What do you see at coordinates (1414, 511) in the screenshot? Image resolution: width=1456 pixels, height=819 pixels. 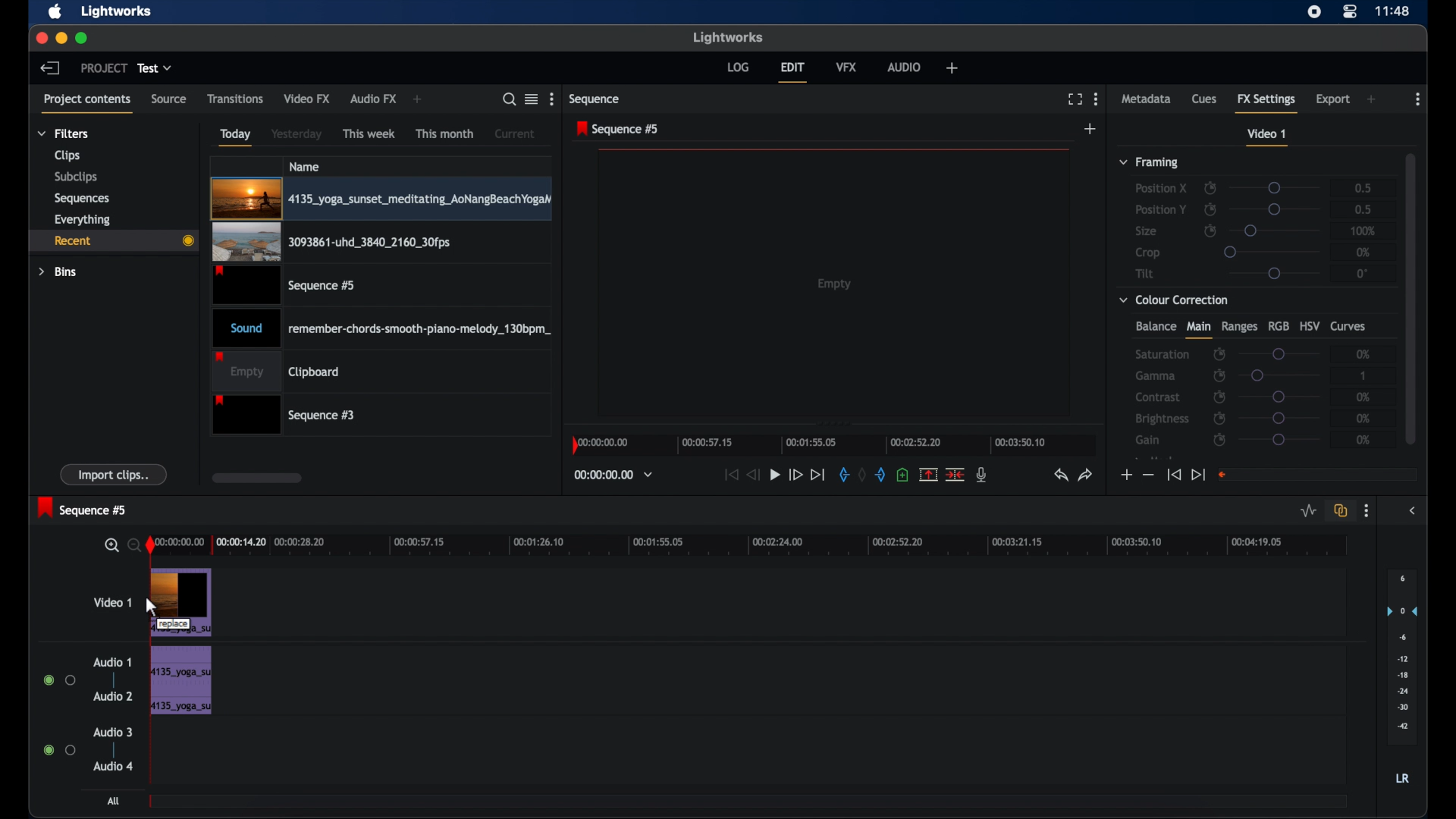 I see `sidebar` at bounding box center [1414, 511].